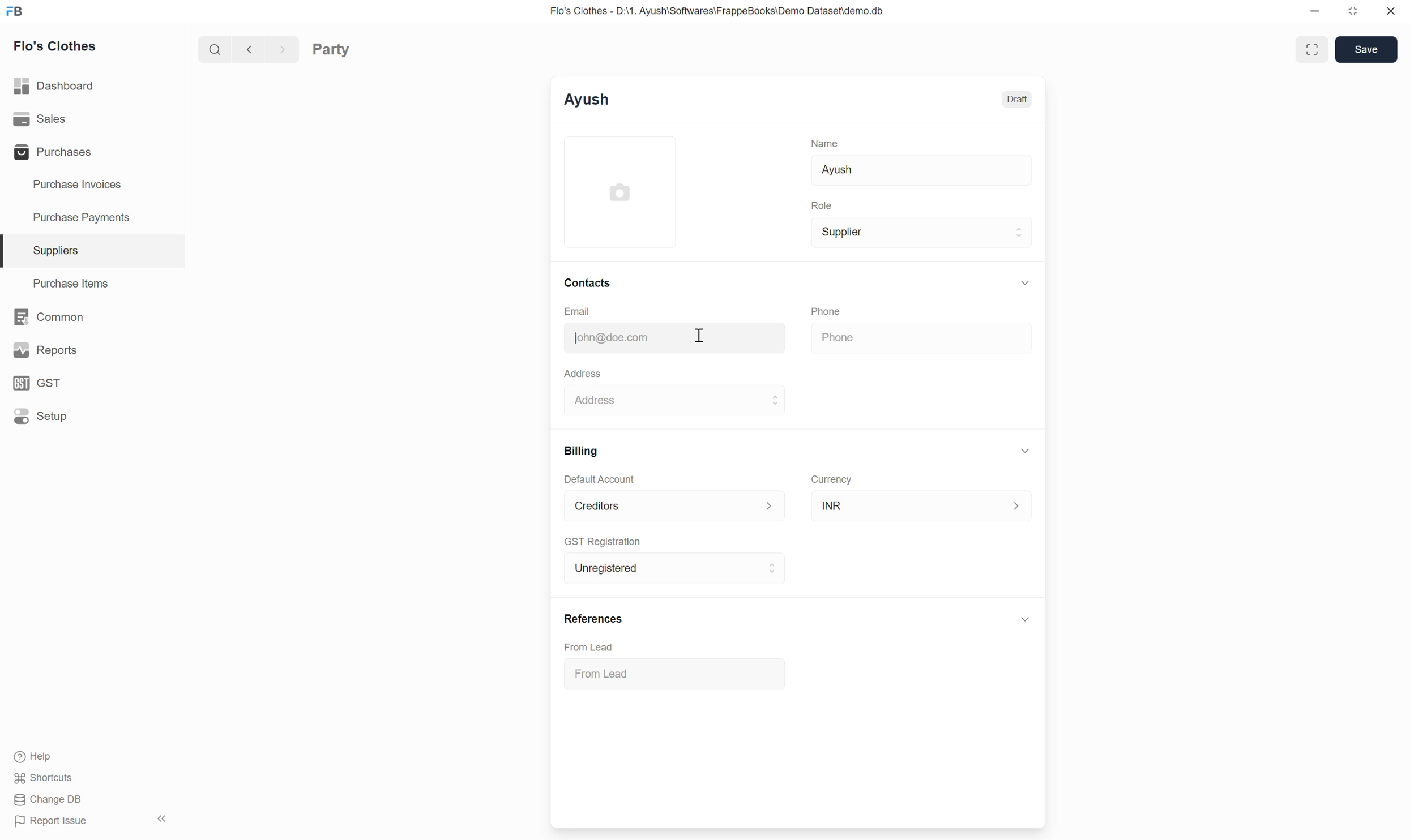  What do you see at coordinates (1016, 100) in the screenshot?
I see `Draft` at bounding box center [1016, 100].